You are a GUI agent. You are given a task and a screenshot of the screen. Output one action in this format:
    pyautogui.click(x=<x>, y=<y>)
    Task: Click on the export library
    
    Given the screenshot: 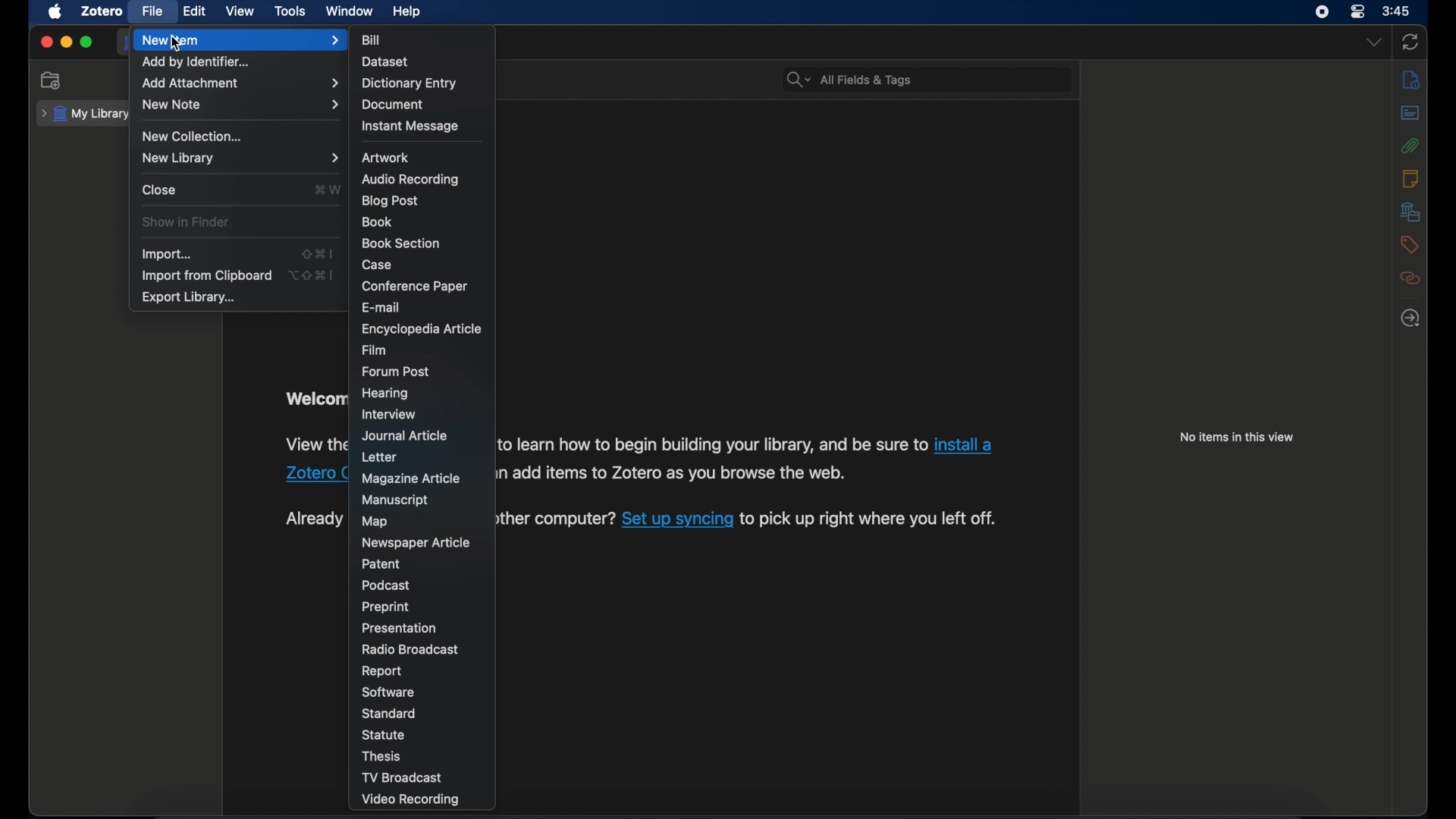 What is the action you would take?
    pyautogui.click(x=187, y=298)
    